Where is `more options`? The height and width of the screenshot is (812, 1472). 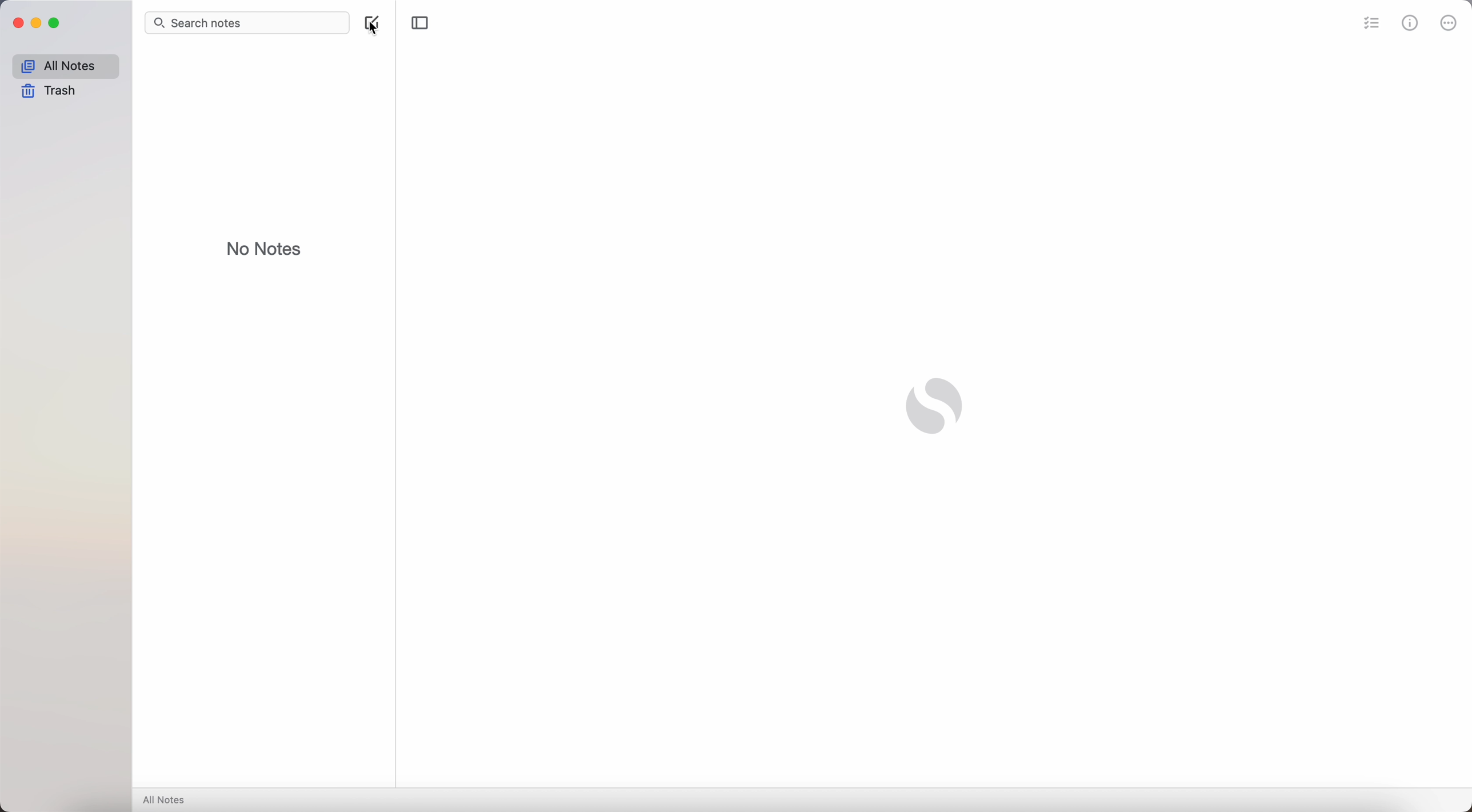
more options is located at coordinates (1449, 23).